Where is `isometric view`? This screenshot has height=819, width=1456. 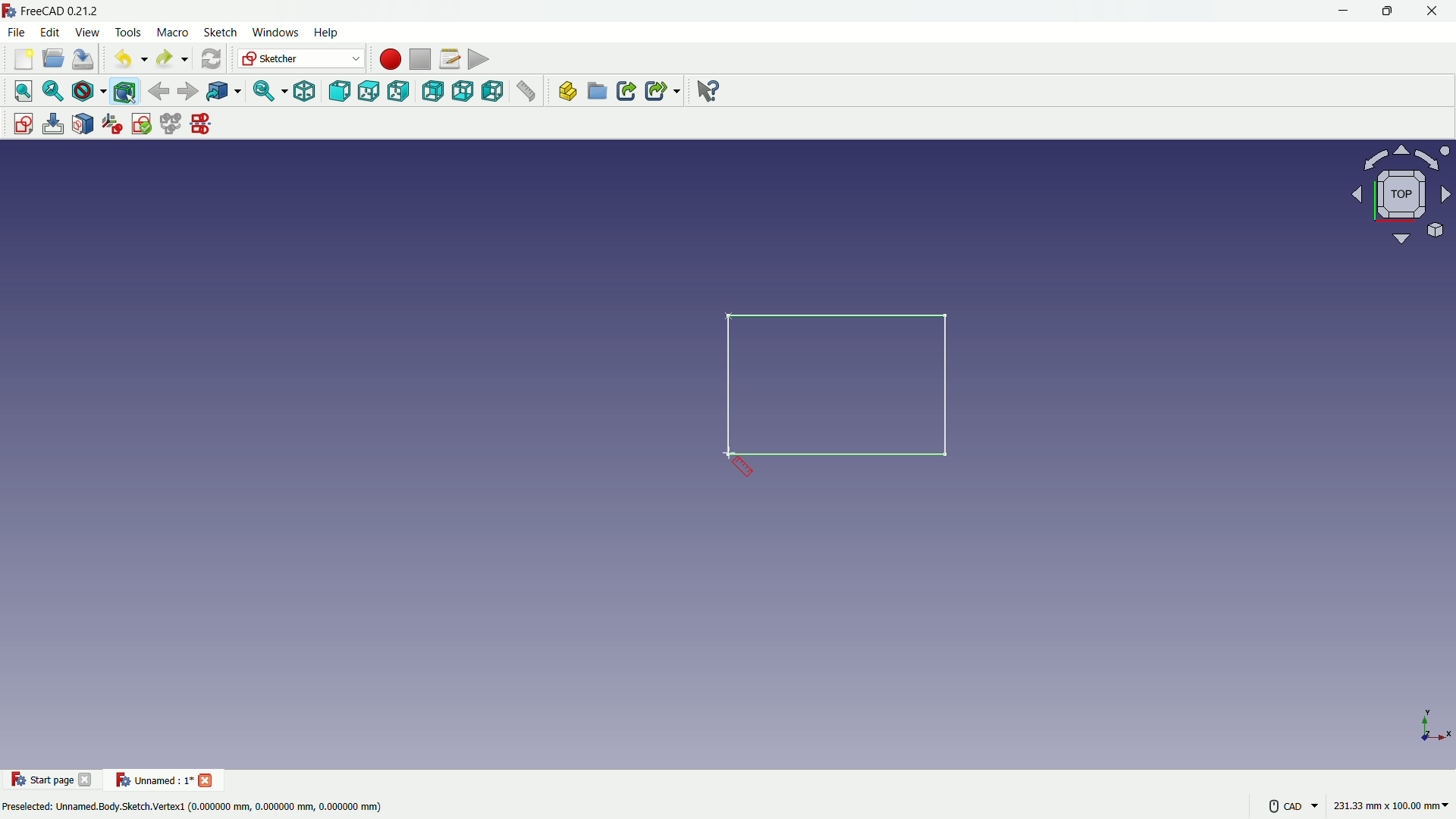
isometric view is located at coordinates (300, 91).